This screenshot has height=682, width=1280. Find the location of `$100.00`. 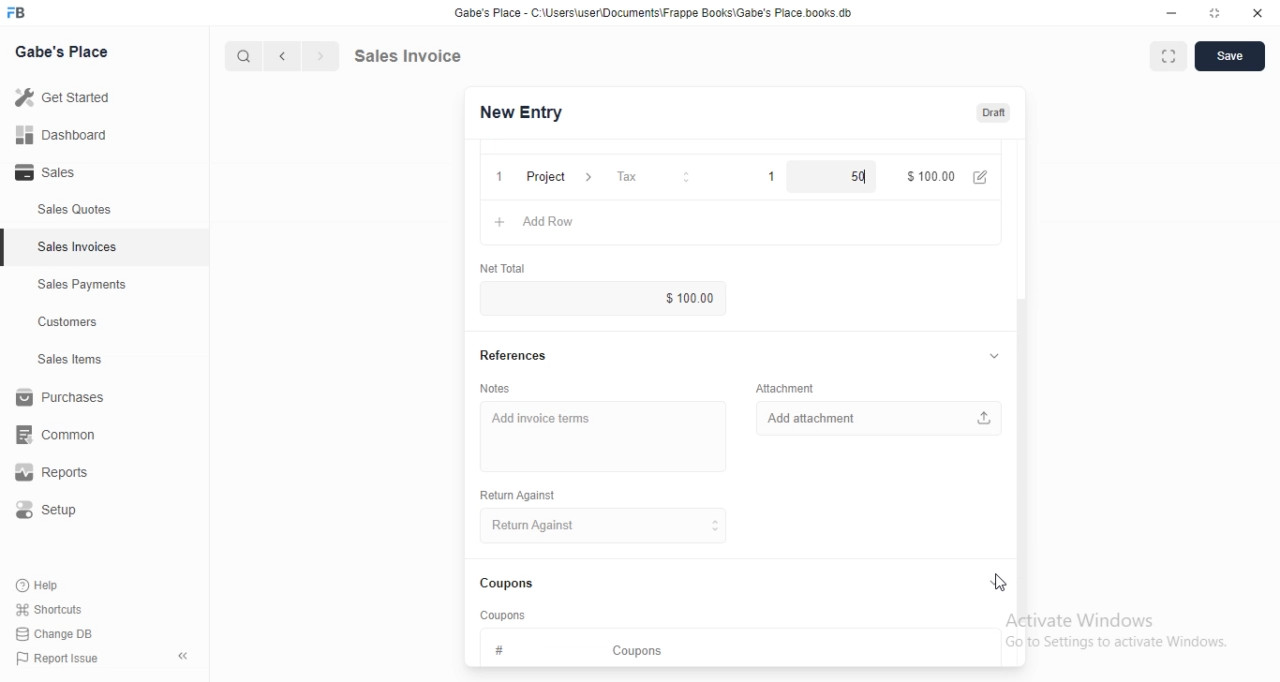

$100.00 is located at coordinates (679, 299).